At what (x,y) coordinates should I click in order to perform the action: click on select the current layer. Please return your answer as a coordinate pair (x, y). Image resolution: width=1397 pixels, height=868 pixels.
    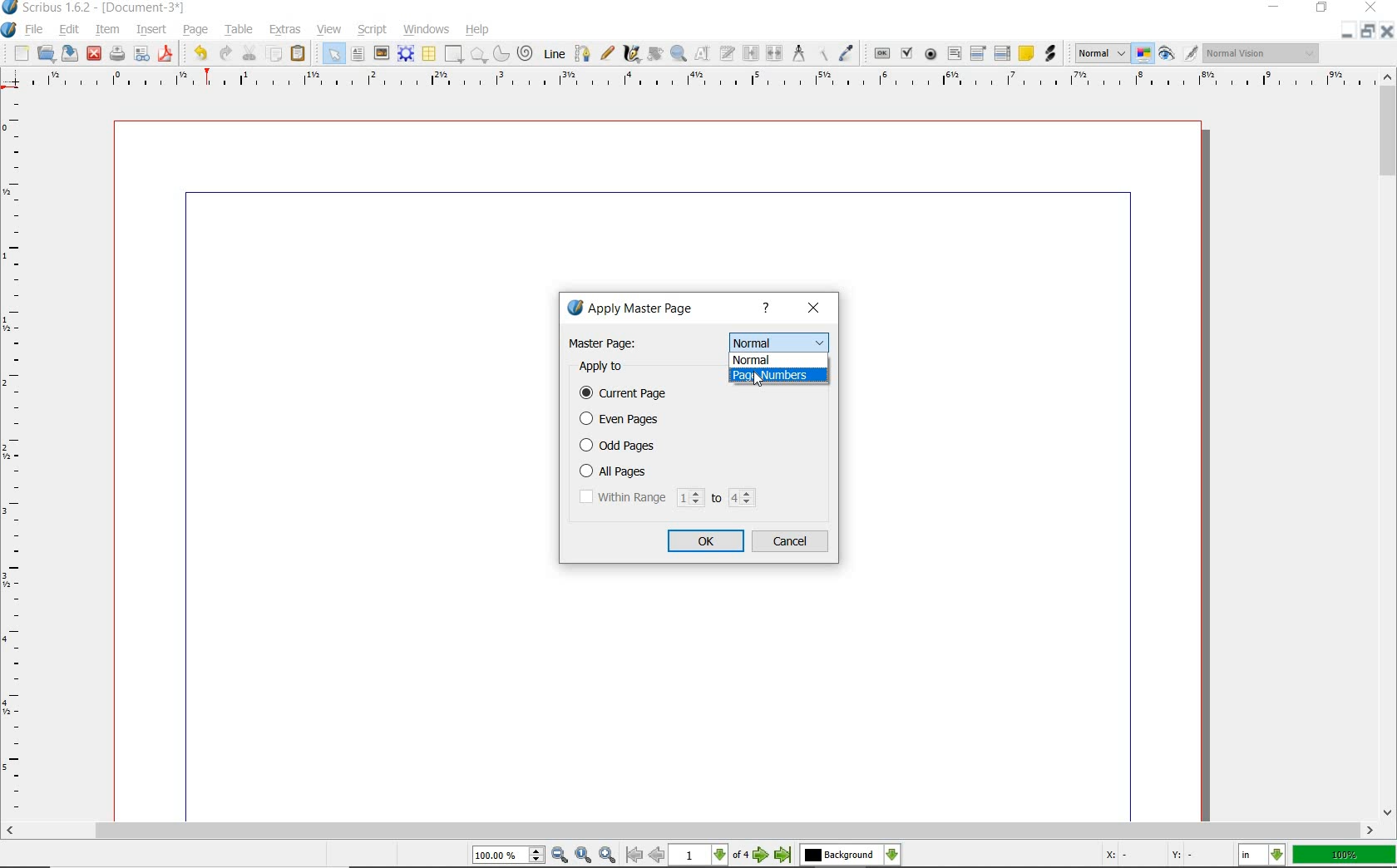
    Looking at the image, I should click on (848, 856).